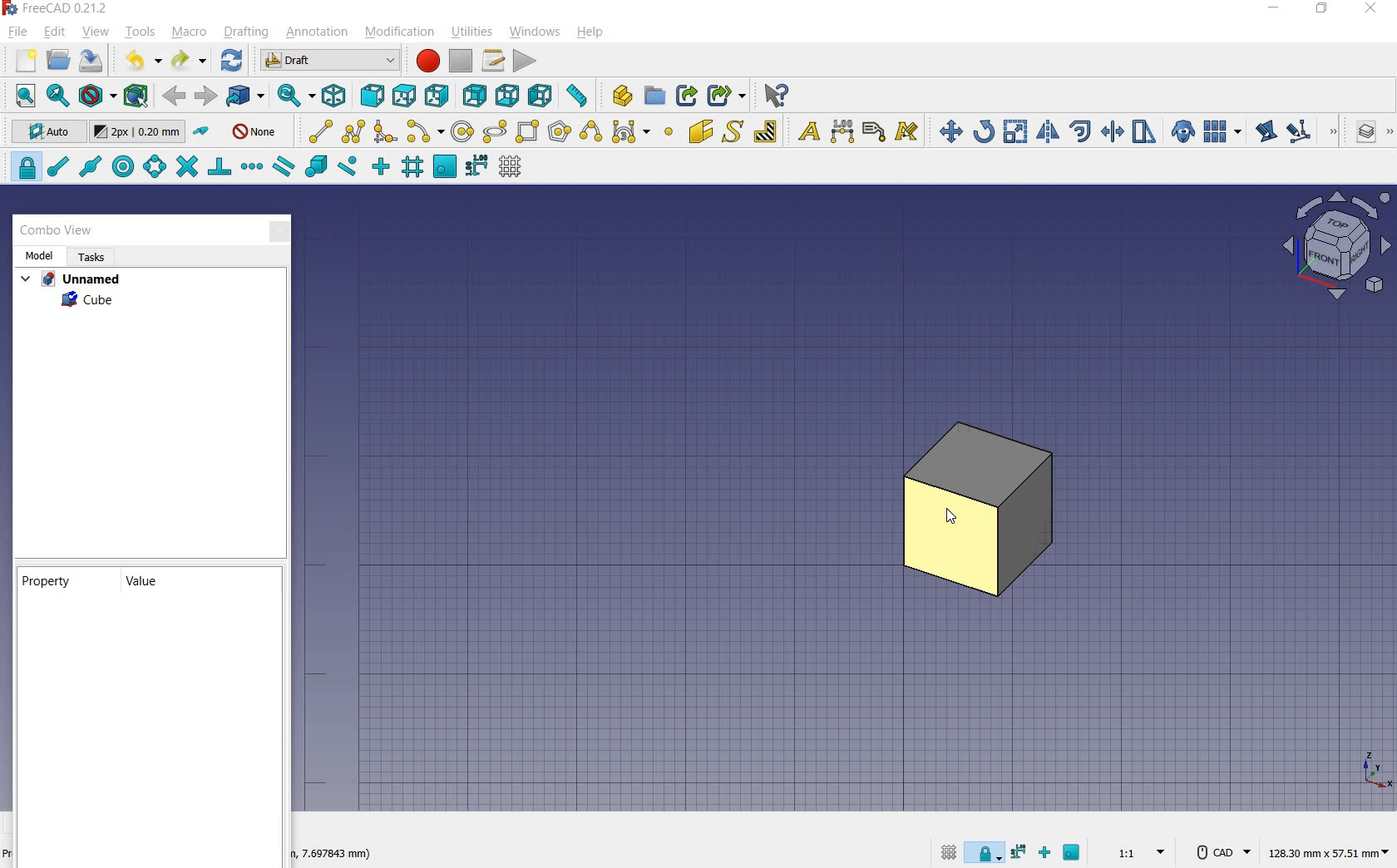  Describe the element at coordinates (1335, 133) in the screenshot. I see `draft modification tools` at that location.